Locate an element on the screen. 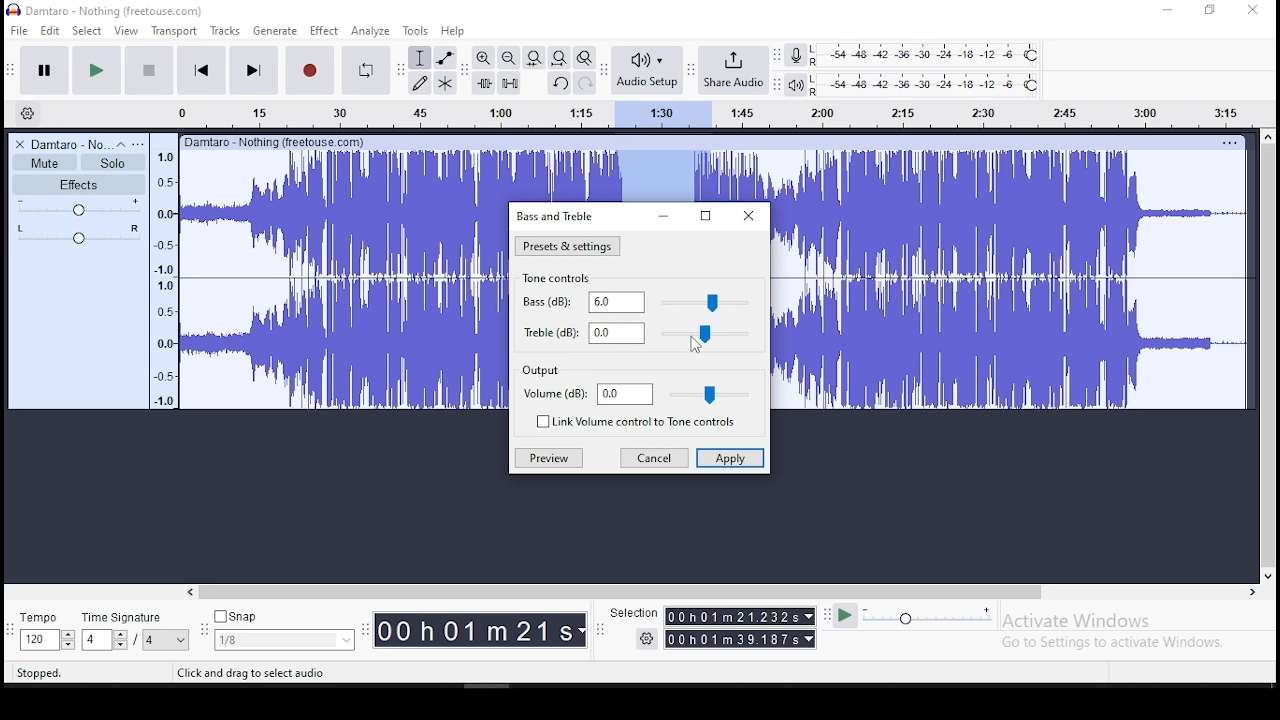 The width and height of the screenshot is (1280, 720).  is located at coordinates (601, 630).